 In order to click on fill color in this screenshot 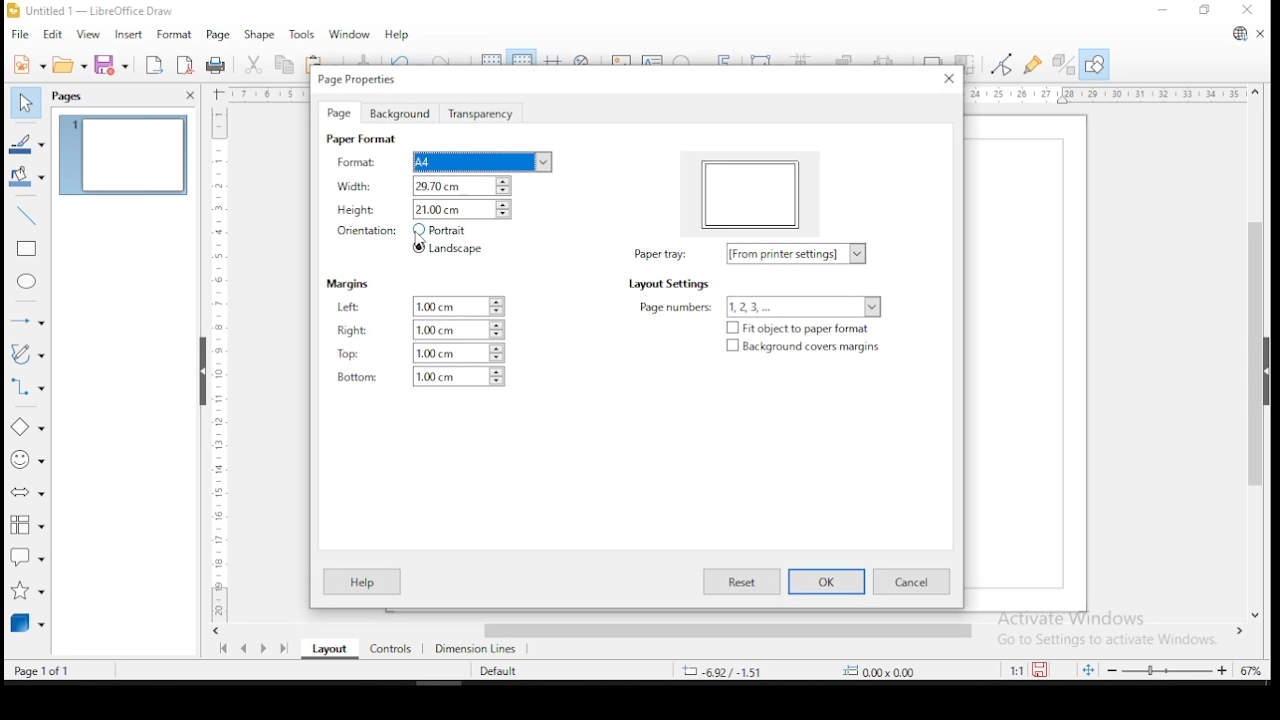, I will do `click(27, 177)`.